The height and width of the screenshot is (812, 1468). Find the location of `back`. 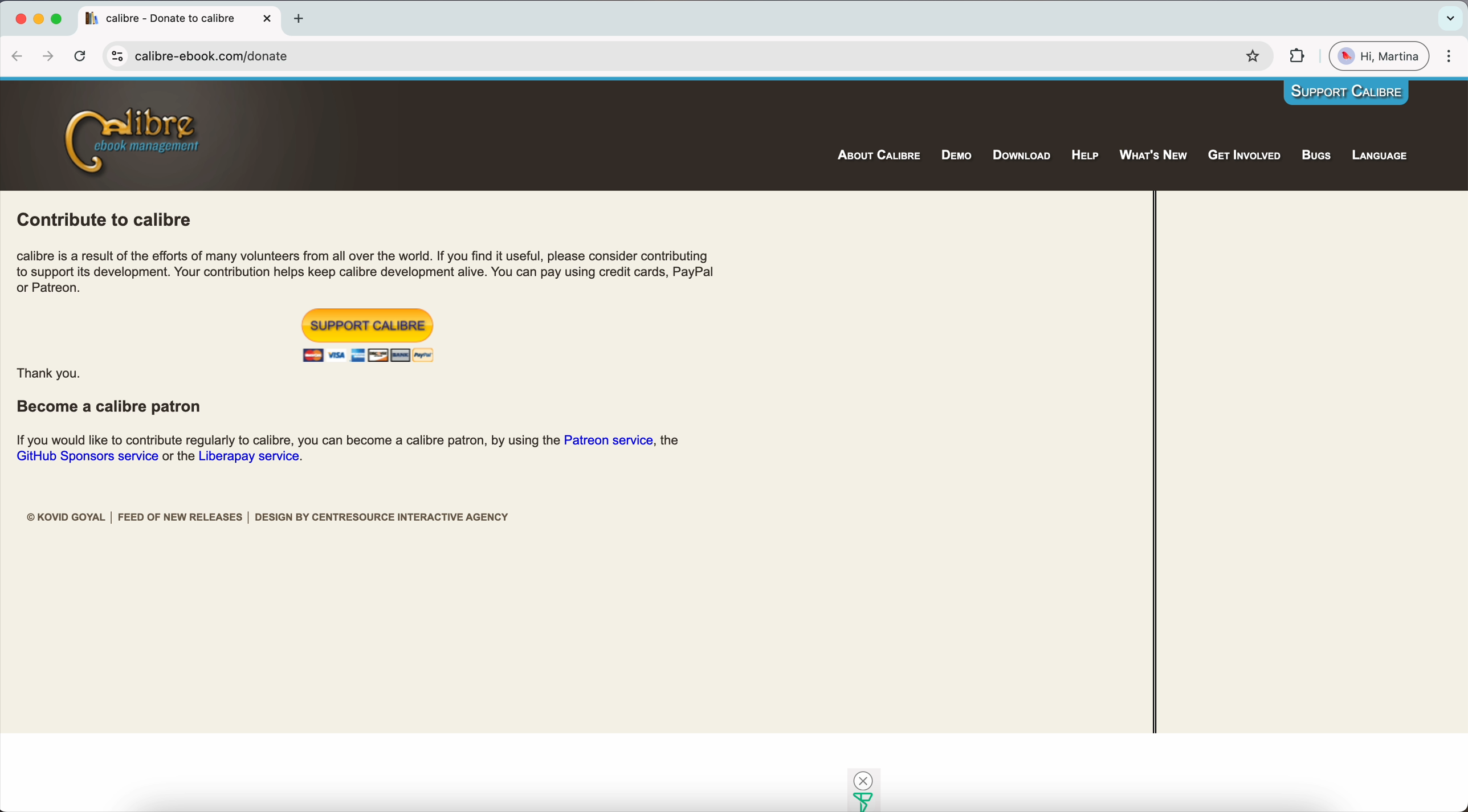

back is located at coordinates (15, 56).